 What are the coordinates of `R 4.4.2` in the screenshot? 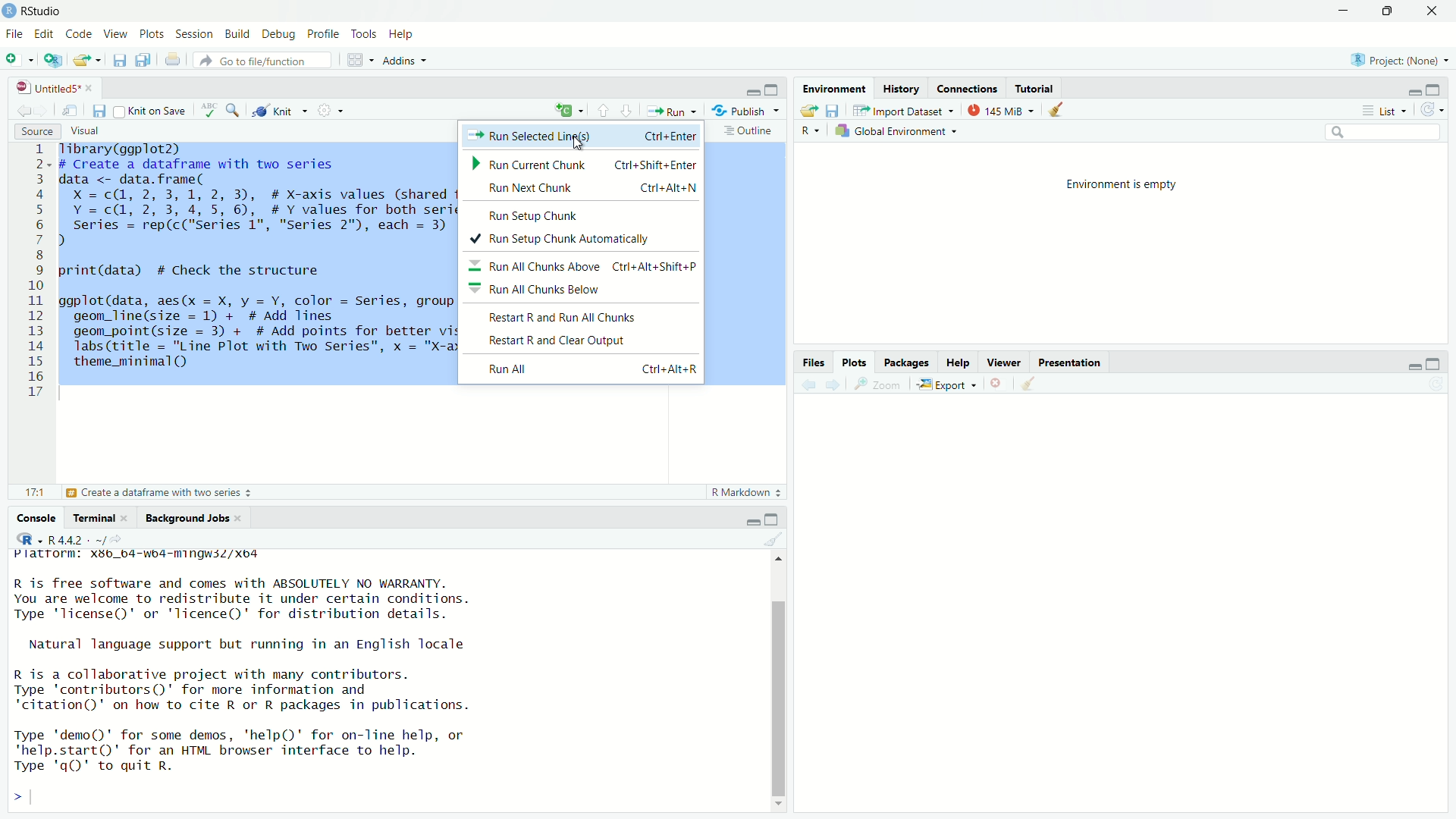 It's located at (73, 539).